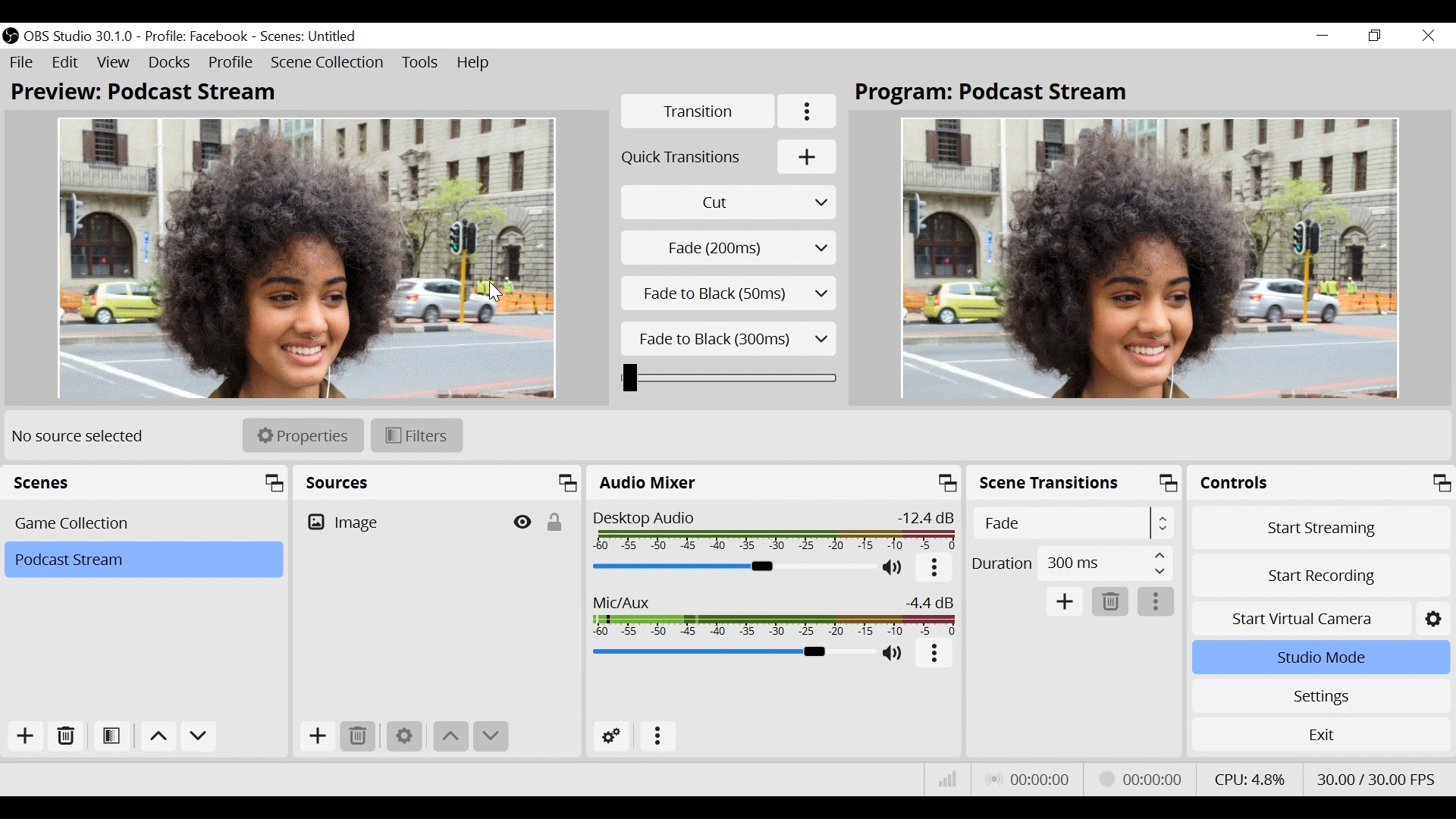 This screenshot has width=1456, height=819. I want to click on Transition, so click(698, 111).